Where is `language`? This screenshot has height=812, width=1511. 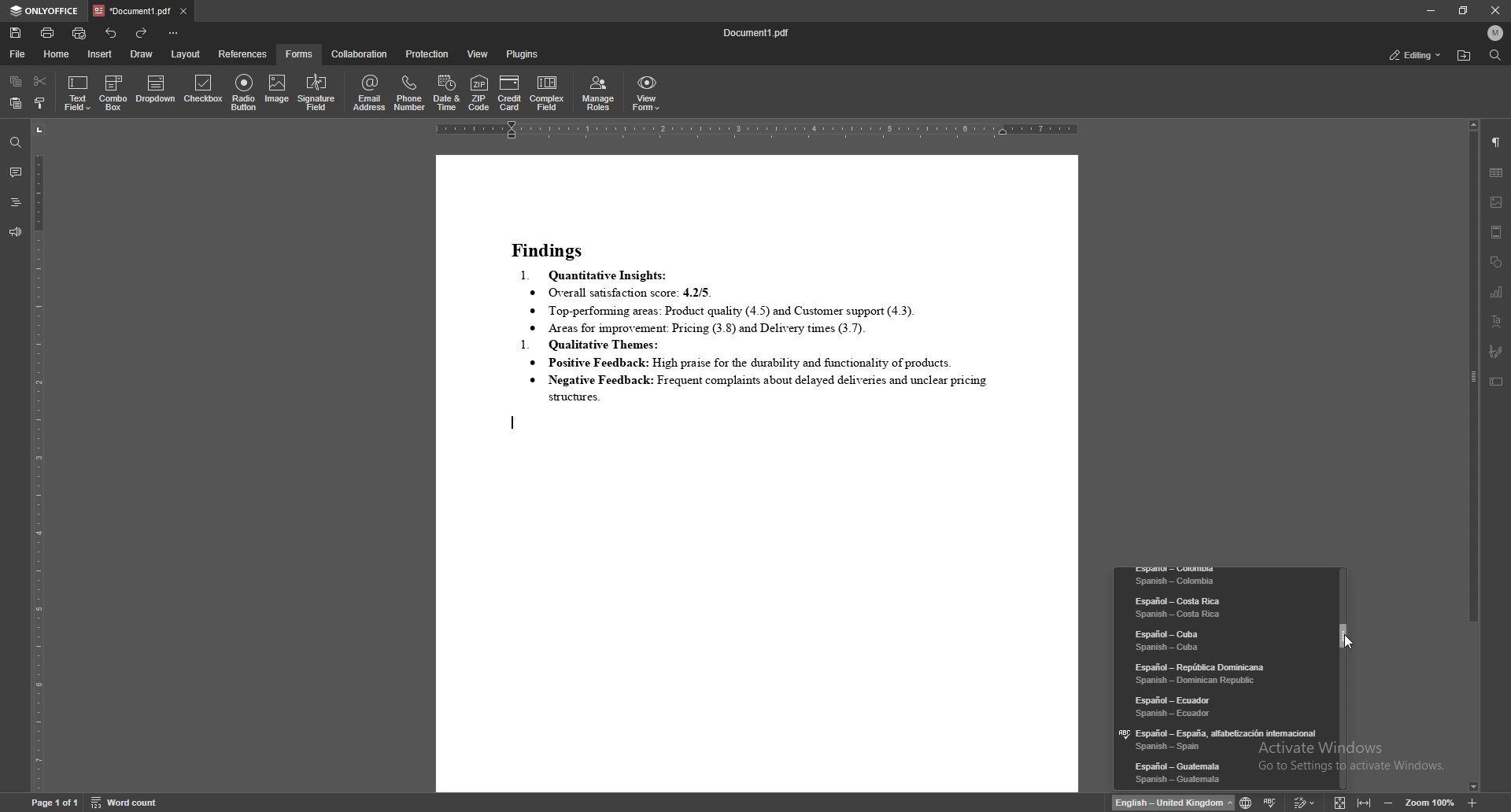
language is located at coordinates (1219, 640).